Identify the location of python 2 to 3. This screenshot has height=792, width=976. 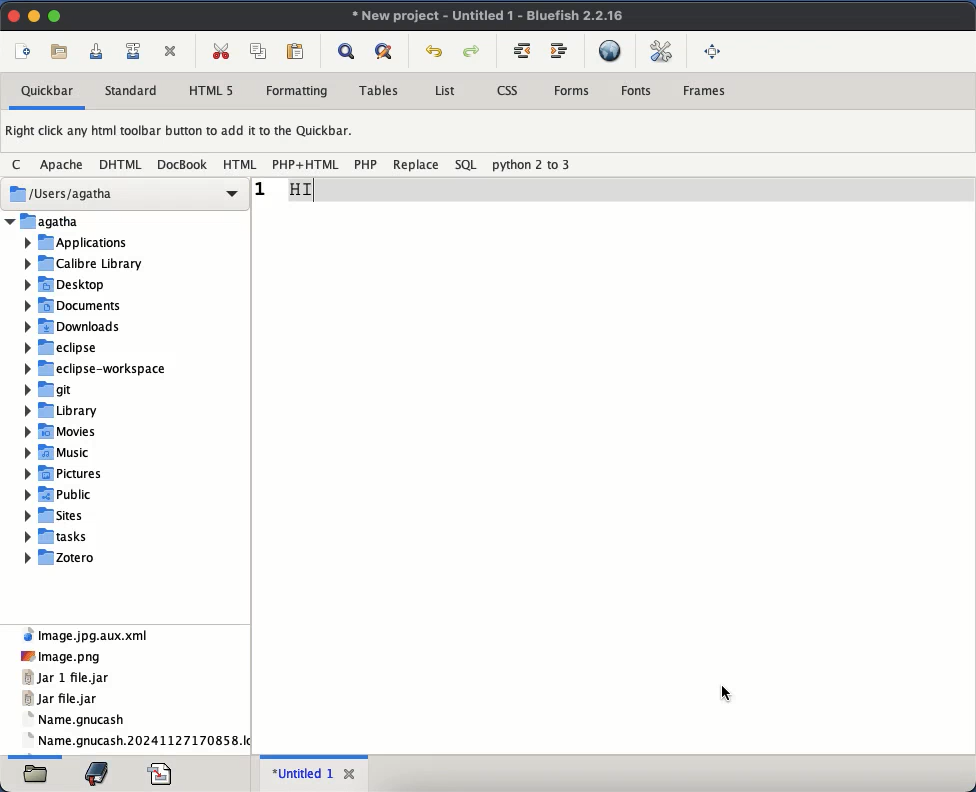
(531, 166).